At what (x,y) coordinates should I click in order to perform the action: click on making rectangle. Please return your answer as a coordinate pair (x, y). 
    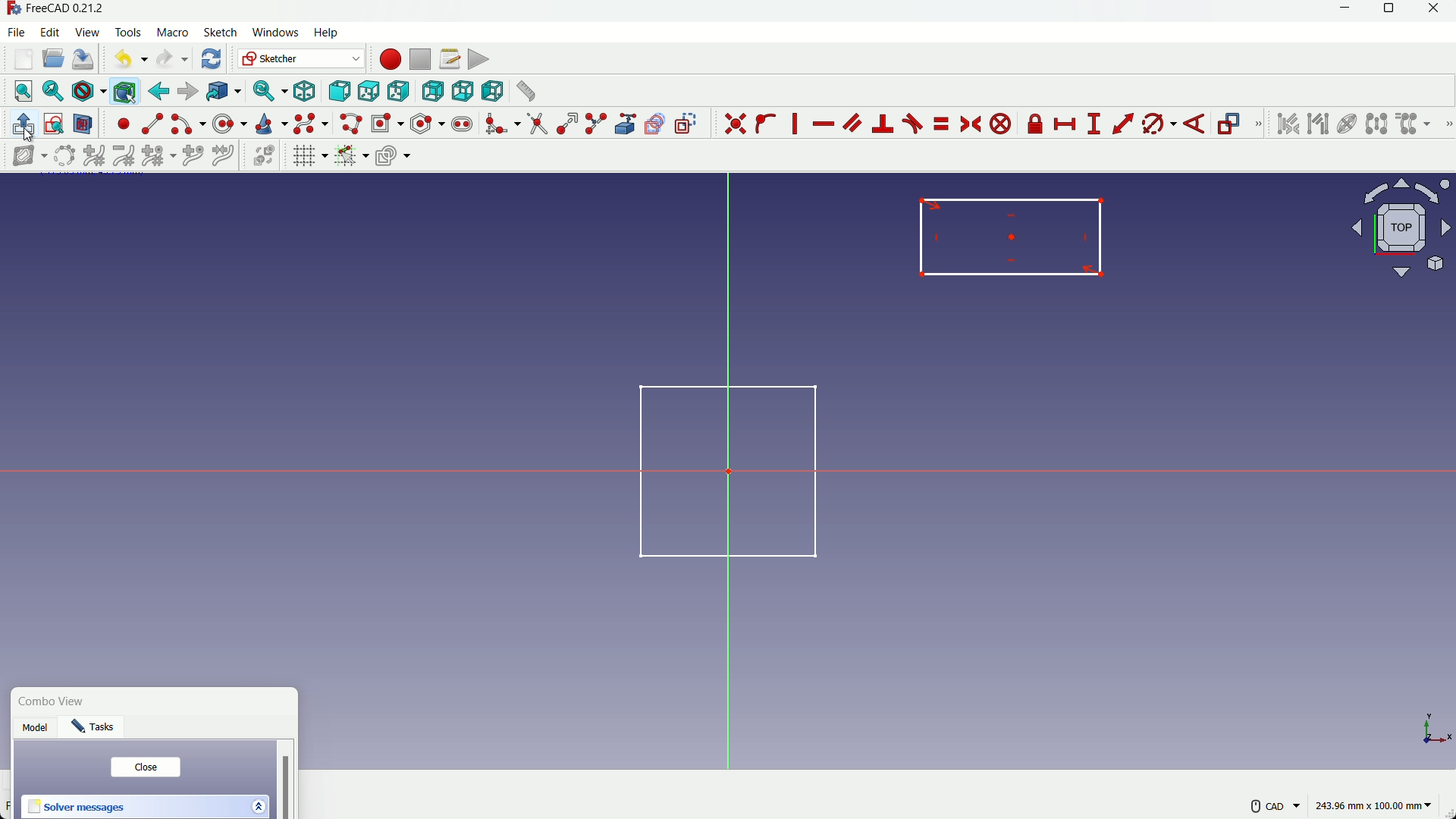
    Looking at the image, I should click on (1012, 237).